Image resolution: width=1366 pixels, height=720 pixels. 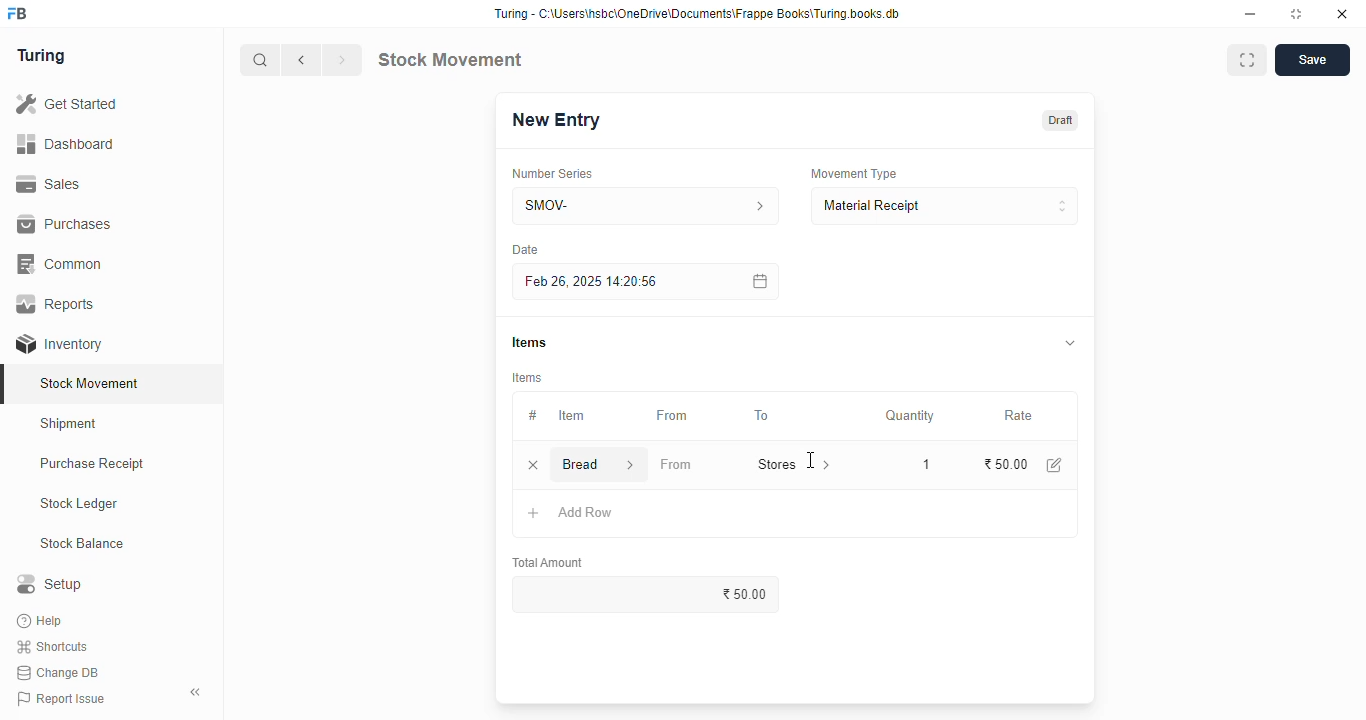 I want to click on stores, so click(x=772, y=463).